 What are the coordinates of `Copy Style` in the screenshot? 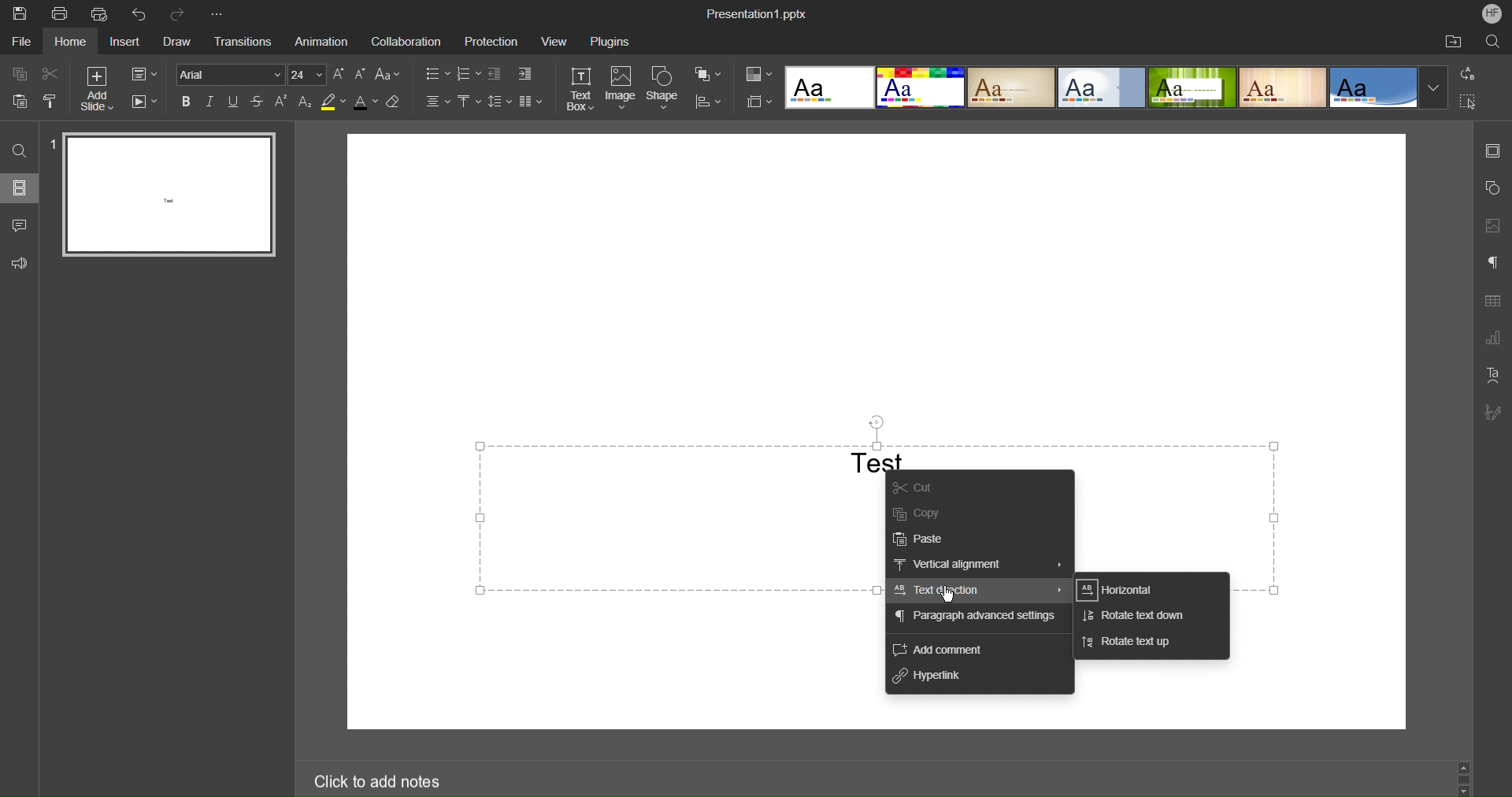 It's located at (51, 101).